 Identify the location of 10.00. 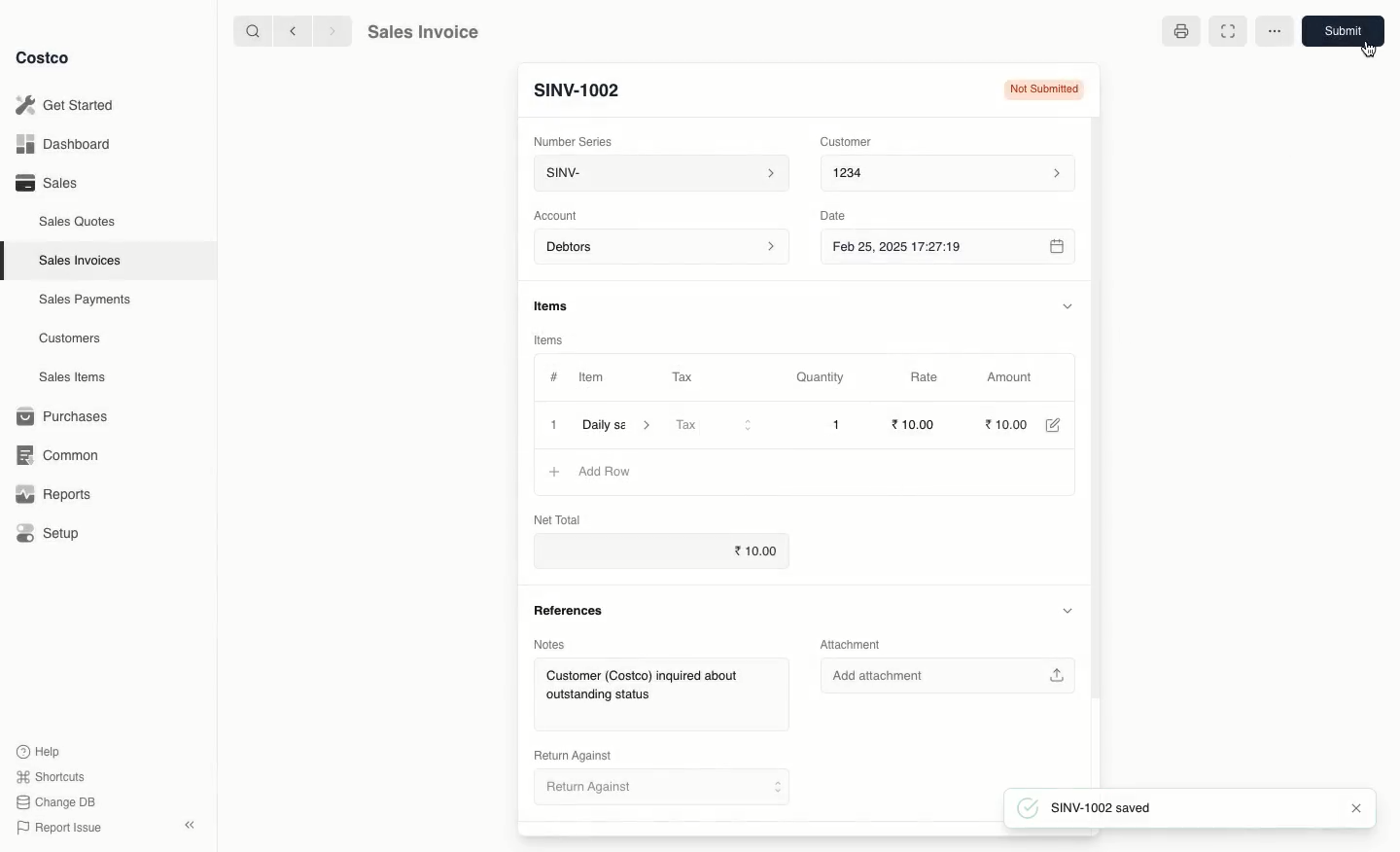
(1012, 424).